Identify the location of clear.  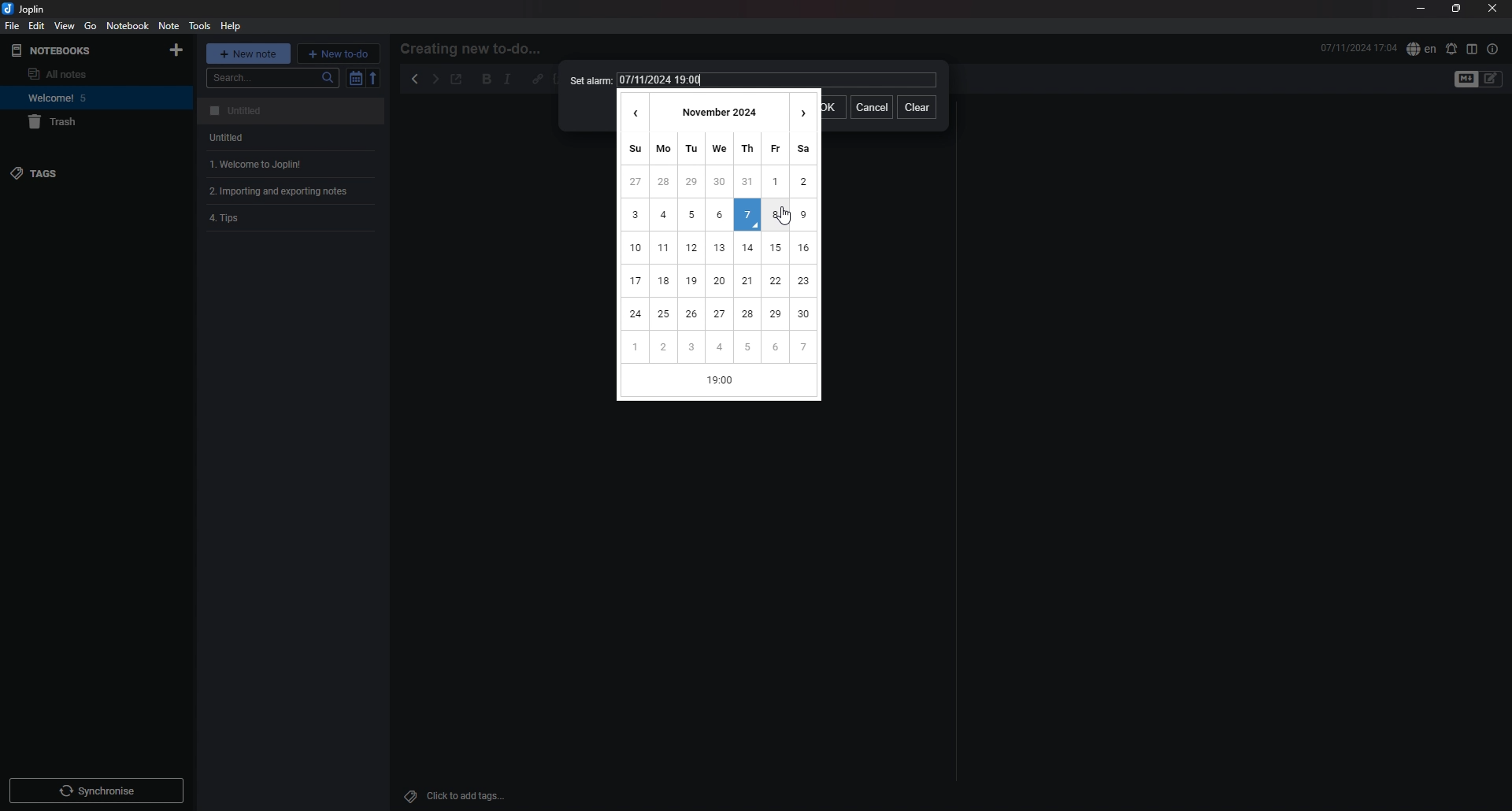
(917, 109).